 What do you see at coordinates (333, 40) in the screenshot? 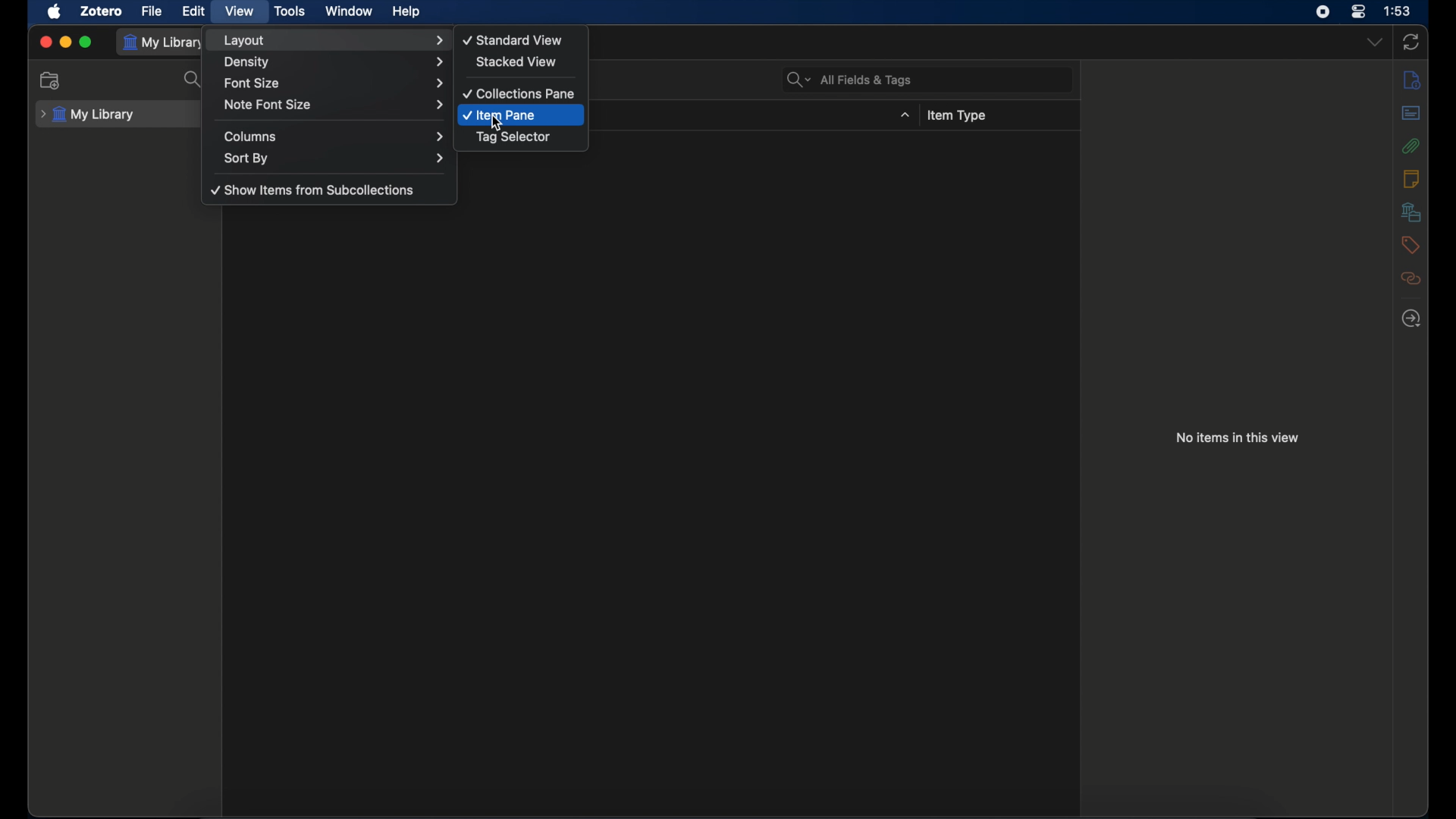
I see `layout` at bounding box center [333, 40].